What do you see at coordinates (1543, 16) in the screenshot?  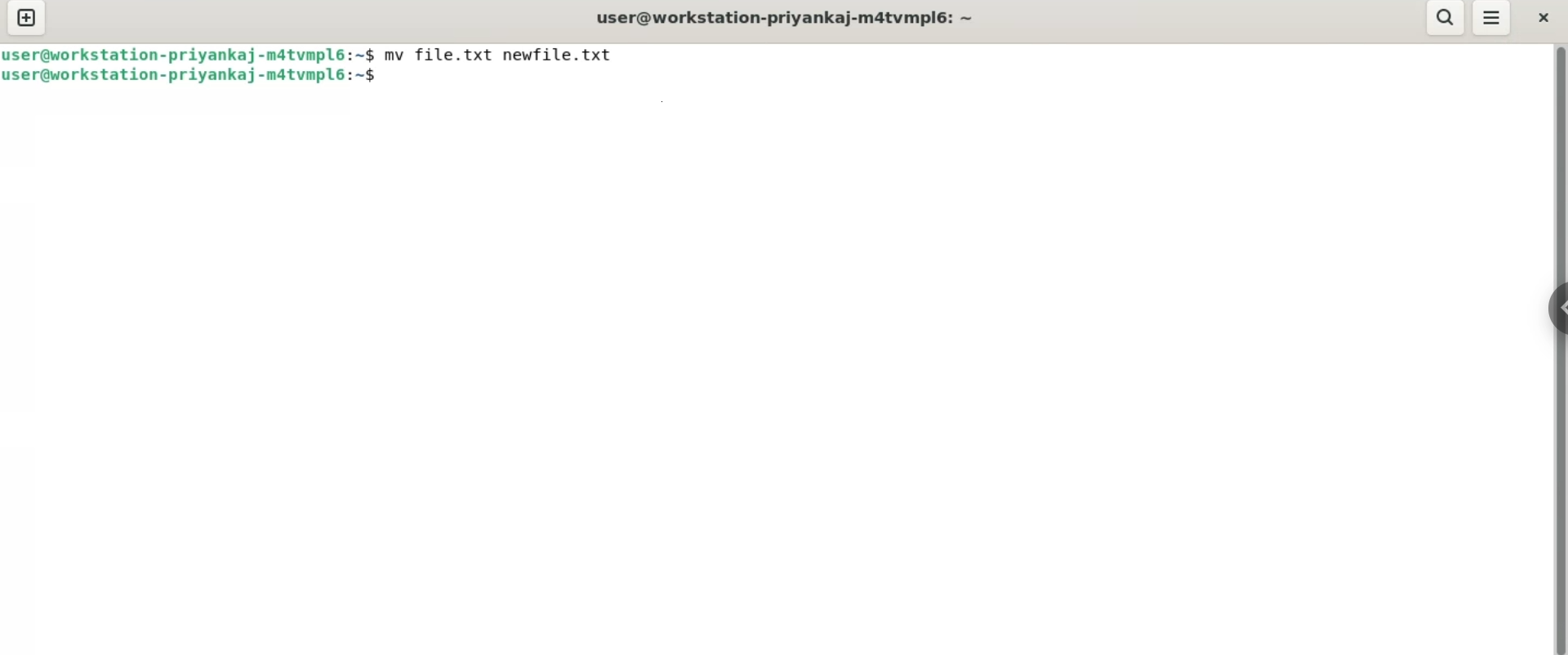 I see `close` at bounding box center [1543, 16].